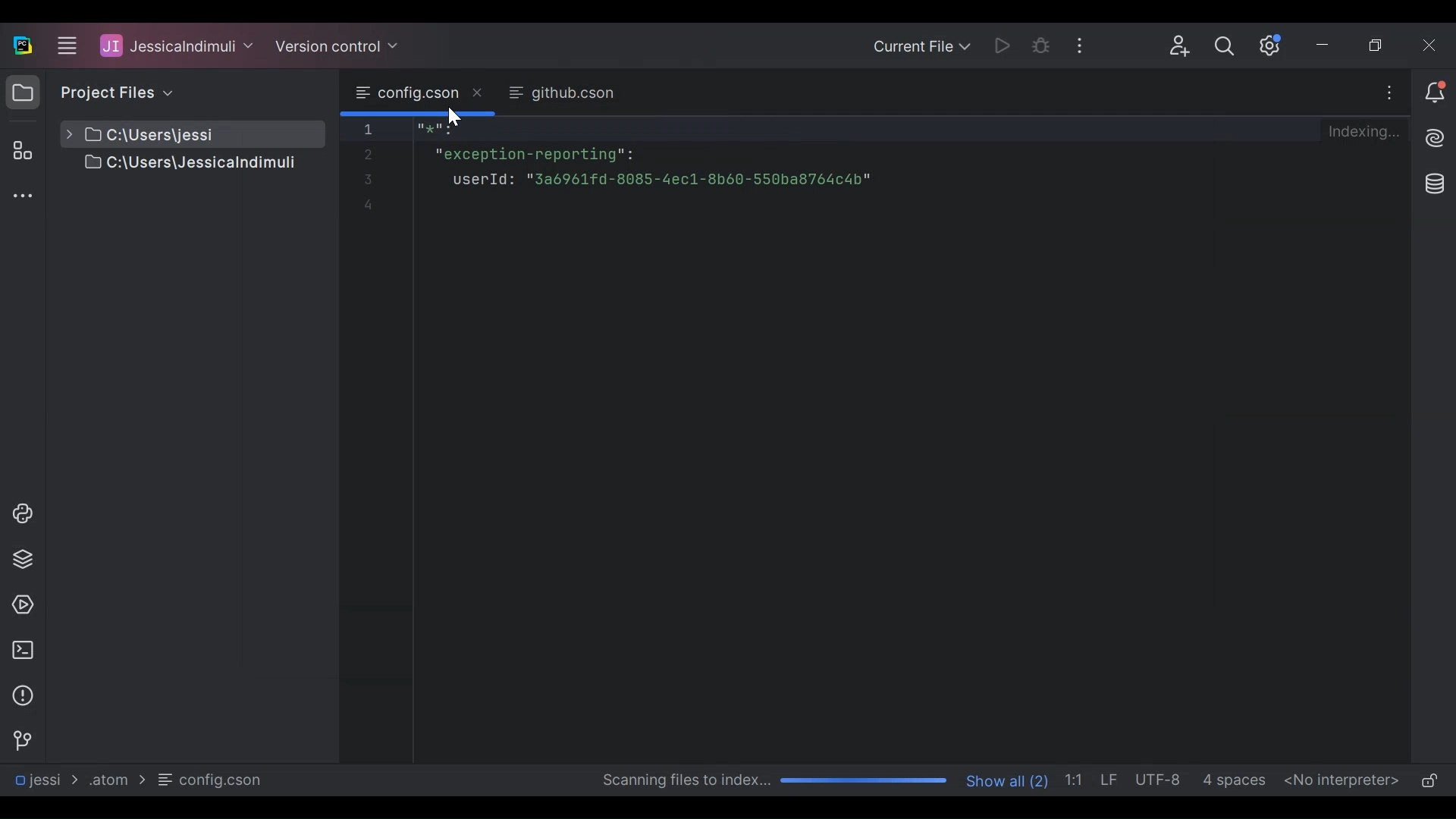 The height and width of the screenshot is (819, 1456). Describe the element at coordinates (1229, 45) in the screenshot. I see `Search` at that location.